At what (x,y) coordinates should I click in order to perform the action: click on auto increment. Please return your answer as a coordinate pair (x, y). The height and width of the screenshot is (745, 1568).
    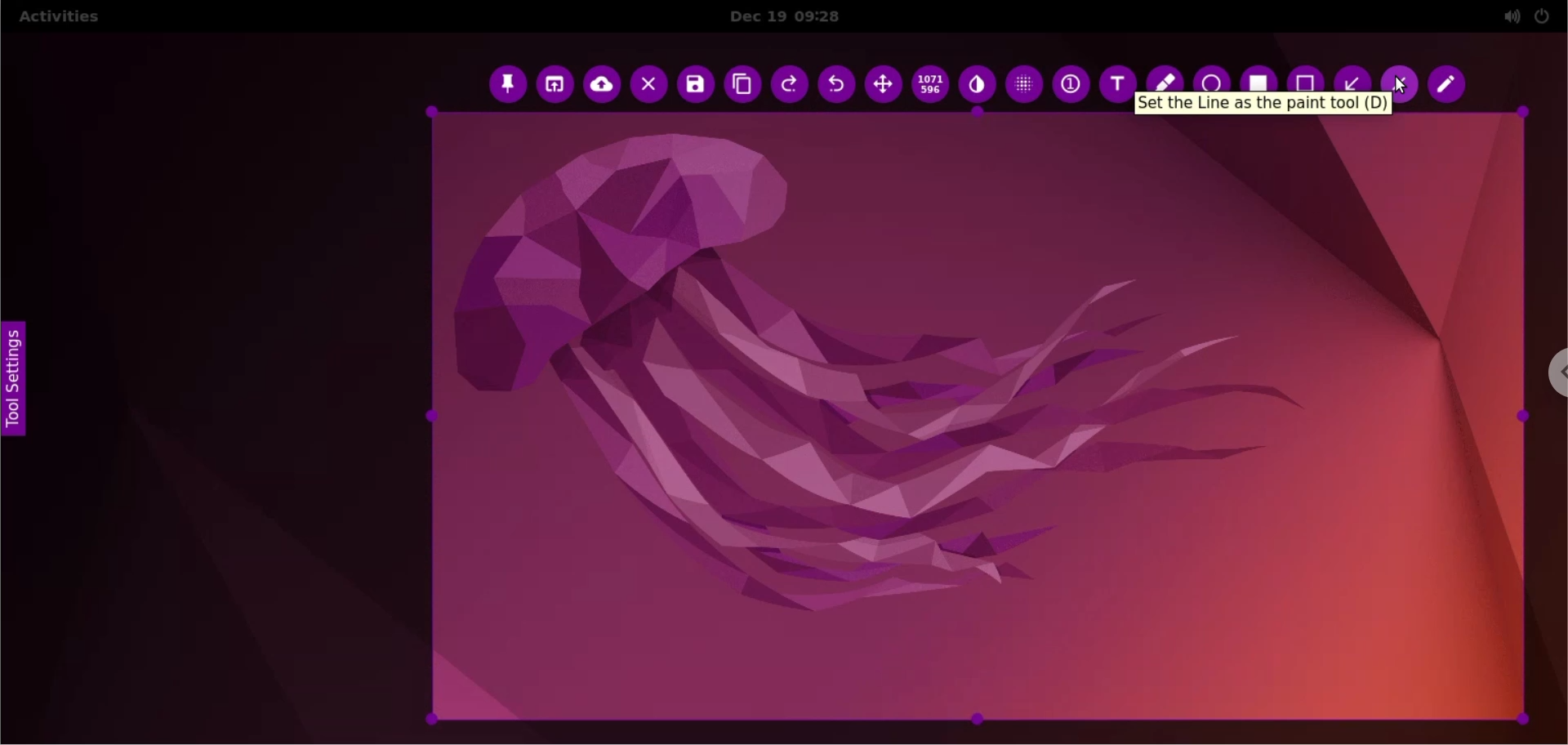
    Looking at the image, I should click on (1070, 87).